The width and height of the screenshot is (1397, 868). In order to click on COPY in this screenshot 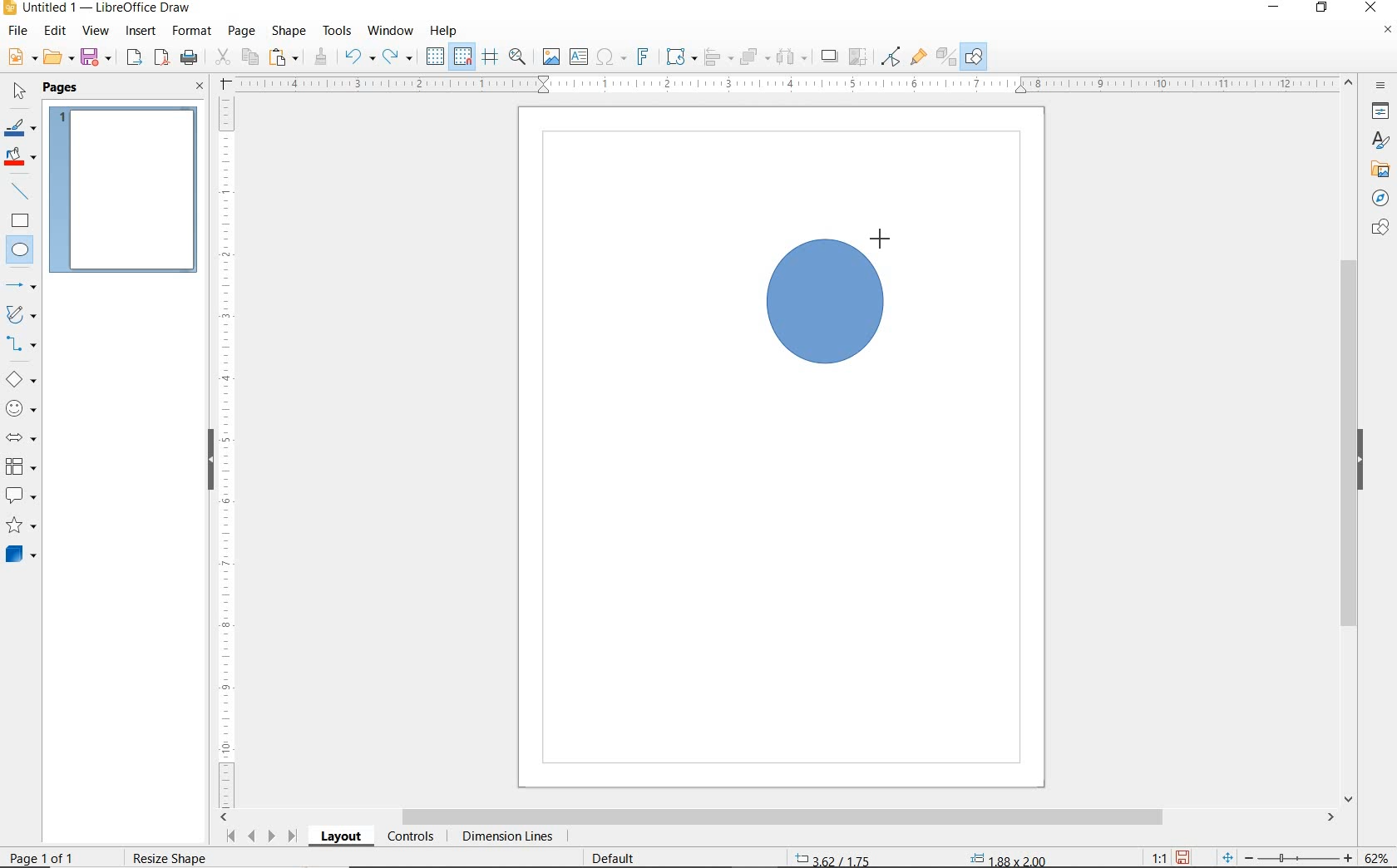, I will do `click(250, 56)`.